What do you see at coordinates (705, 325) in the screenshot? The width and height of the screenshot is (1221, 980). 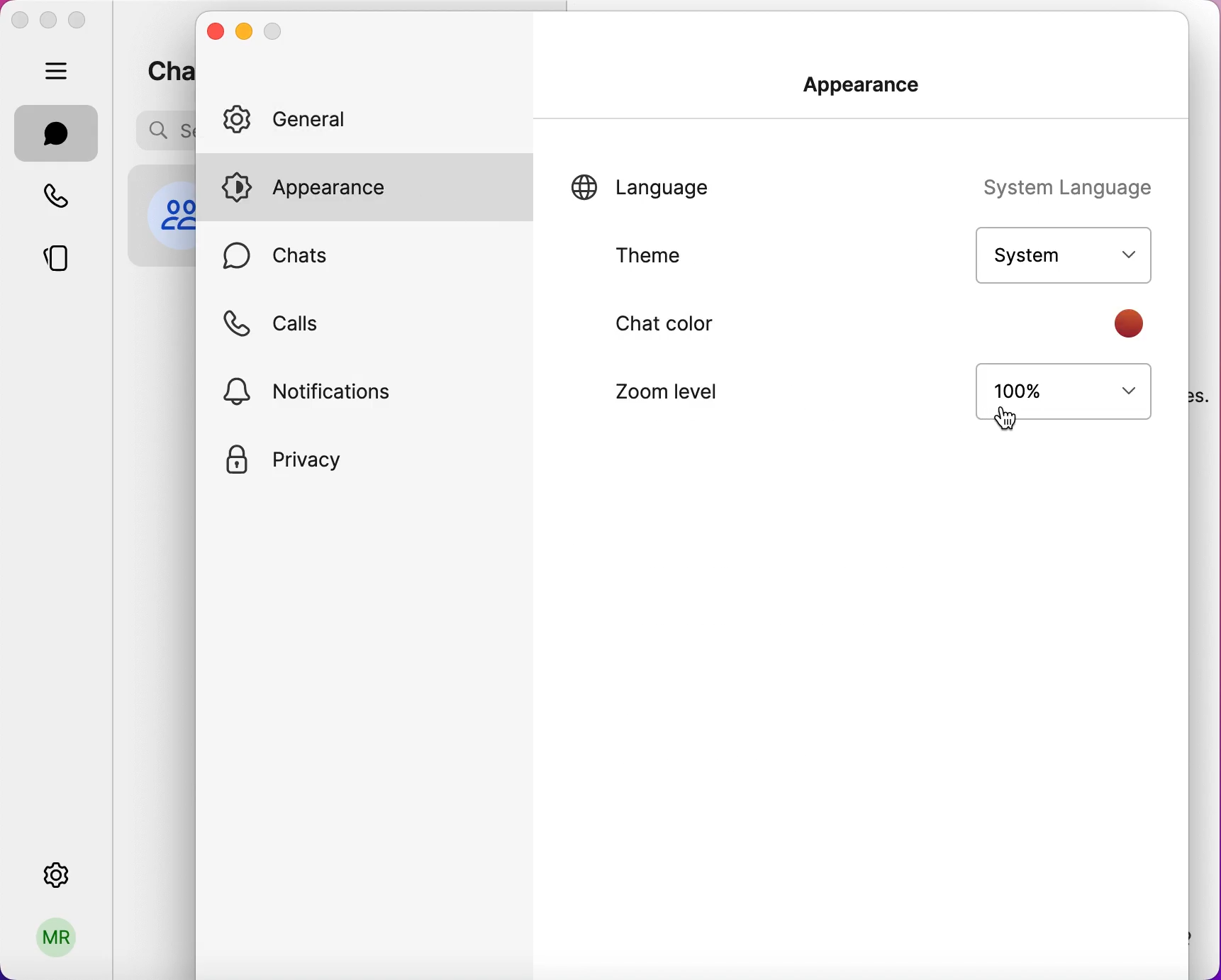 I see `chat color` at bounding box center [705, 325].